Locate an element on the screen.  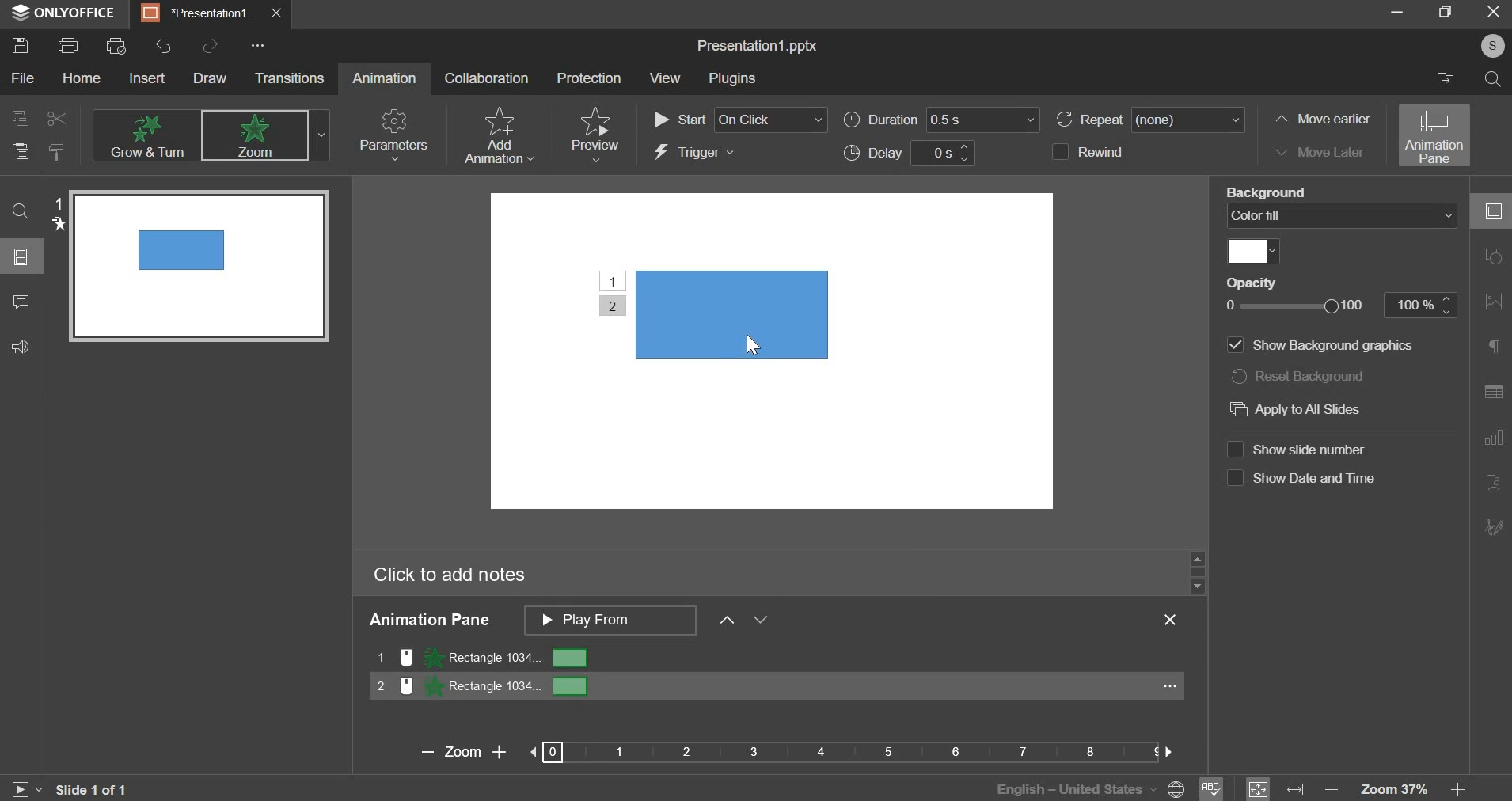
print is located at coordinates (71, 46).